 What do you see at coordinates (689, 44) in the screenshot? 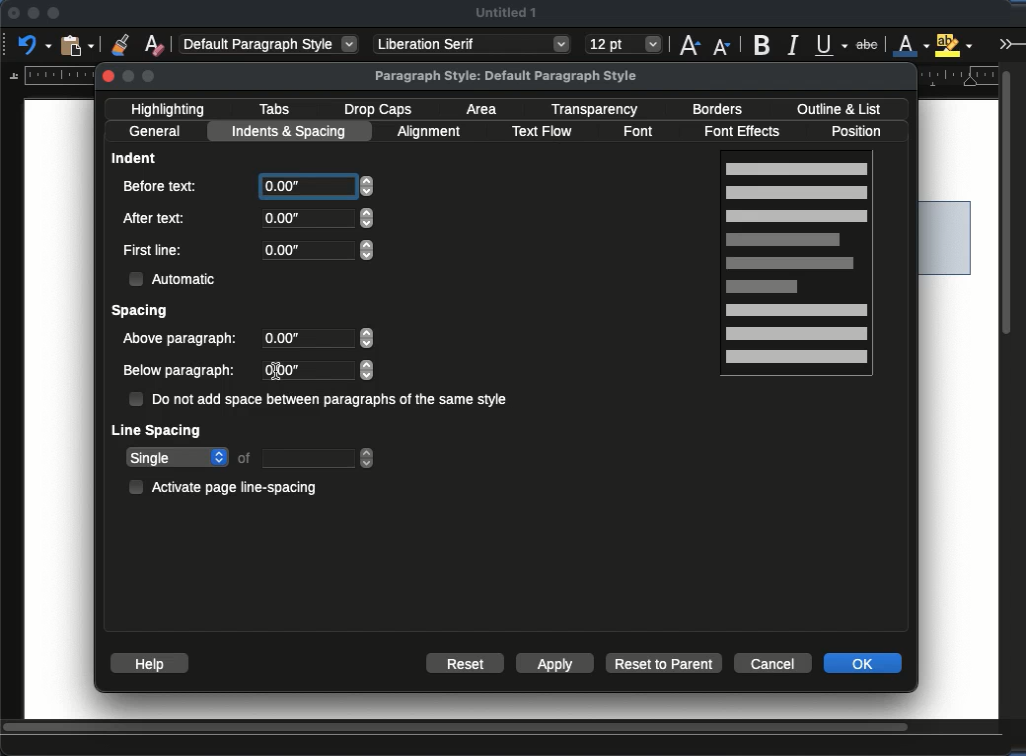
I see `increase size` at bounding box center [689, 44].